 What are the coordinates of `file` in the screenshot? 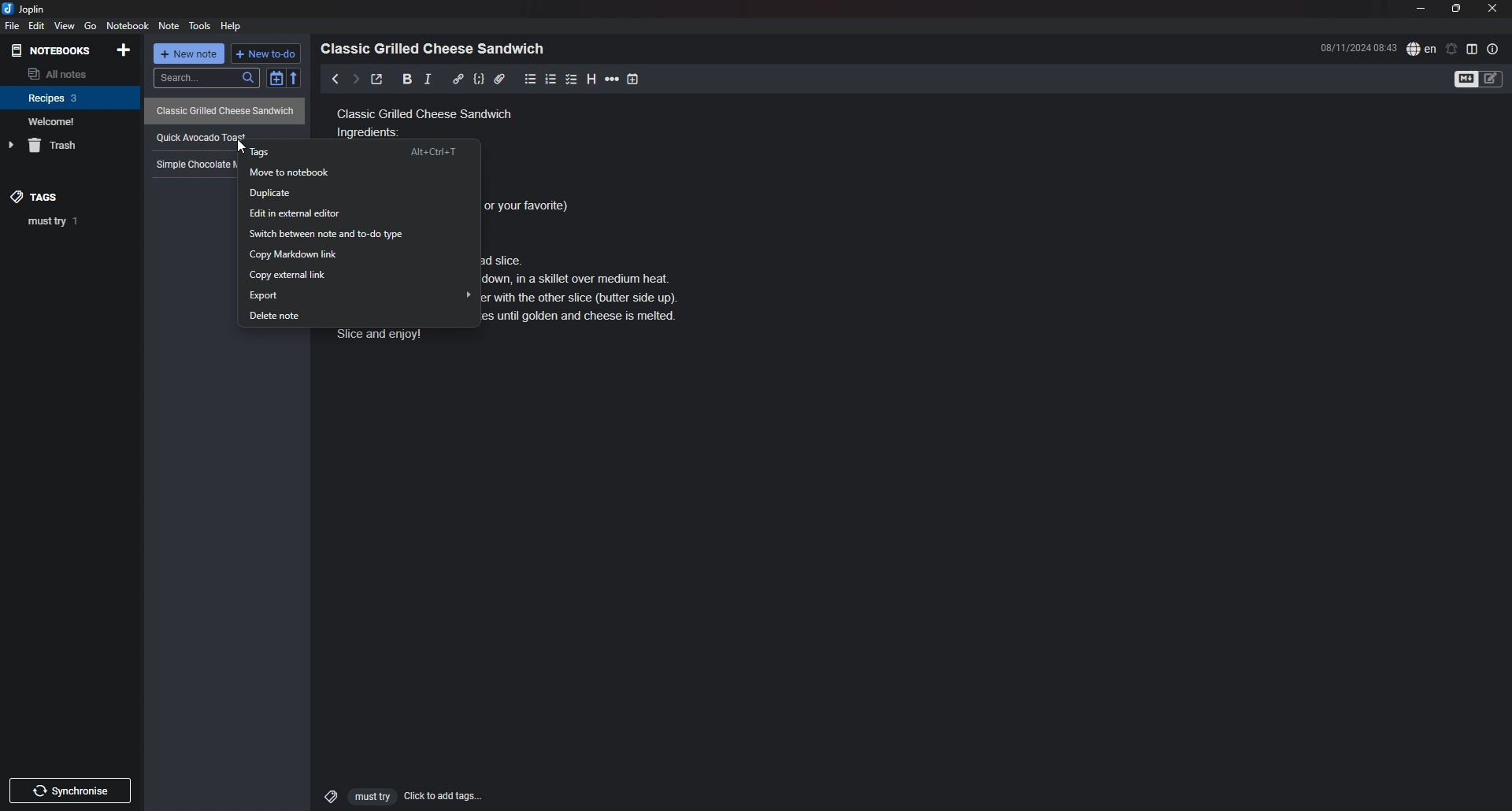 It's located at (11, 27).